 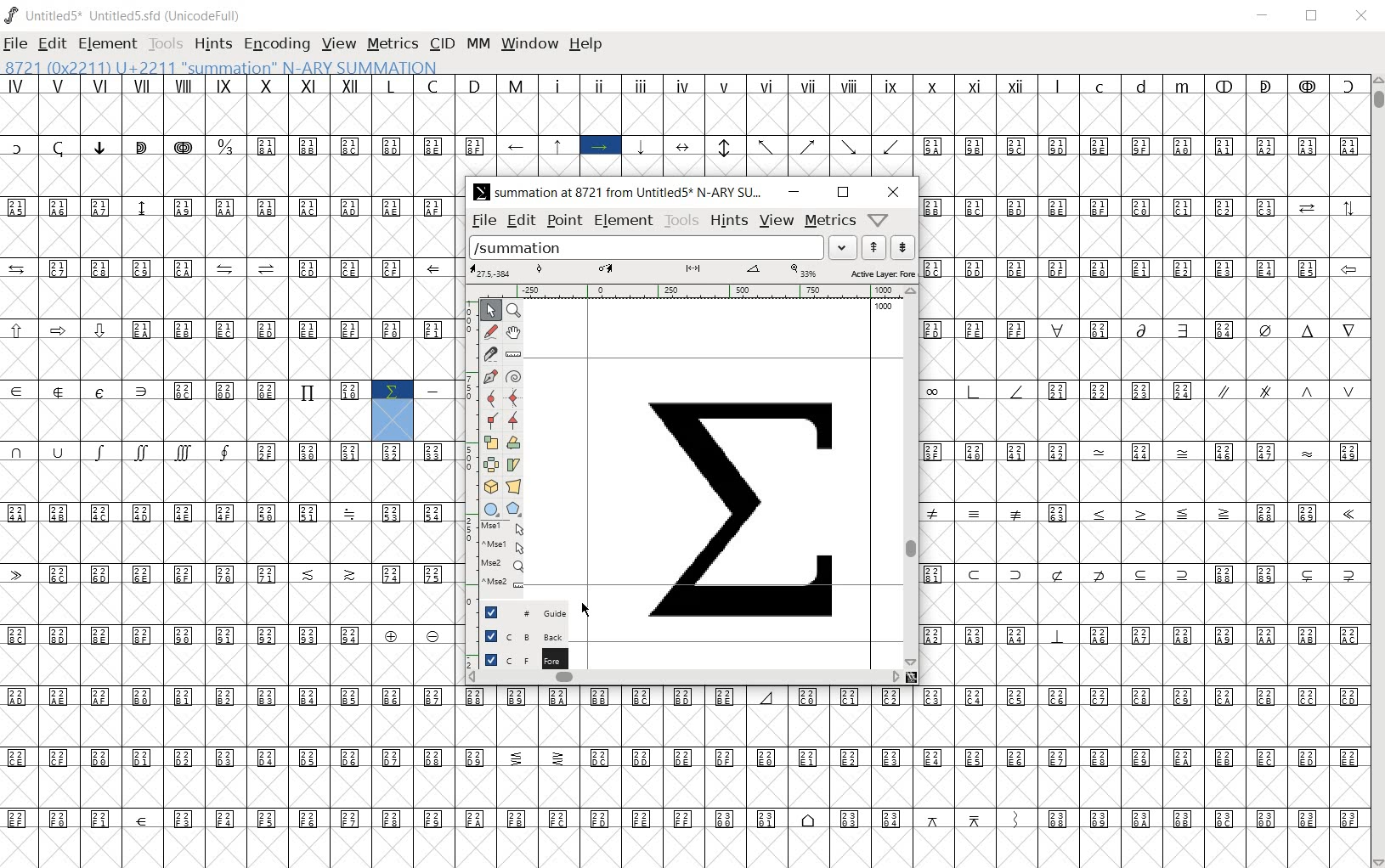 What do you see at coordinates (684, 677) in the screenshot?
I see `scrollbar` at bounding box center [684, 677].